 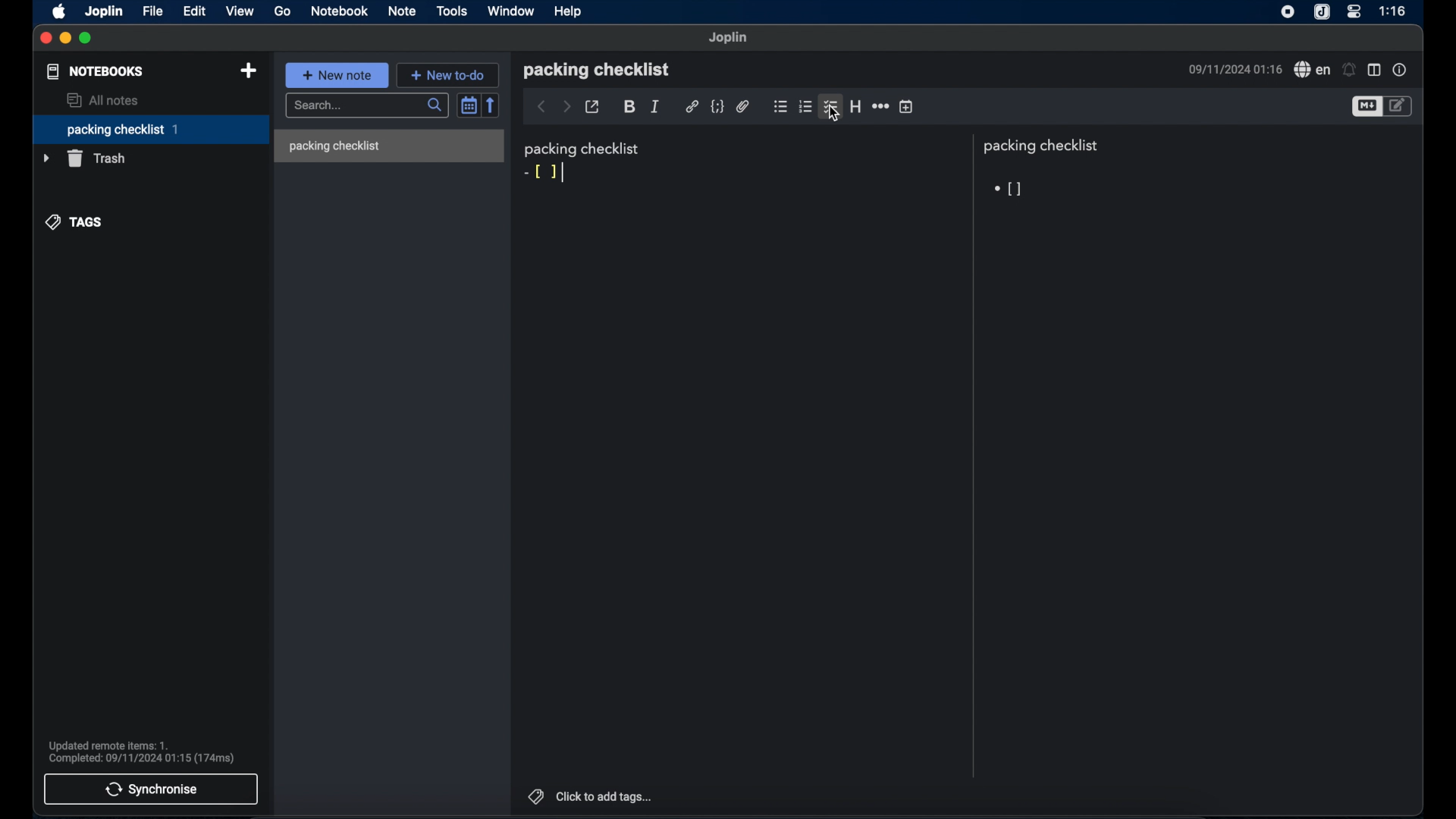 What do you see at coordinates (730, 38) in the screenshot?
I see `joplin` at bounding box center [730, 38].